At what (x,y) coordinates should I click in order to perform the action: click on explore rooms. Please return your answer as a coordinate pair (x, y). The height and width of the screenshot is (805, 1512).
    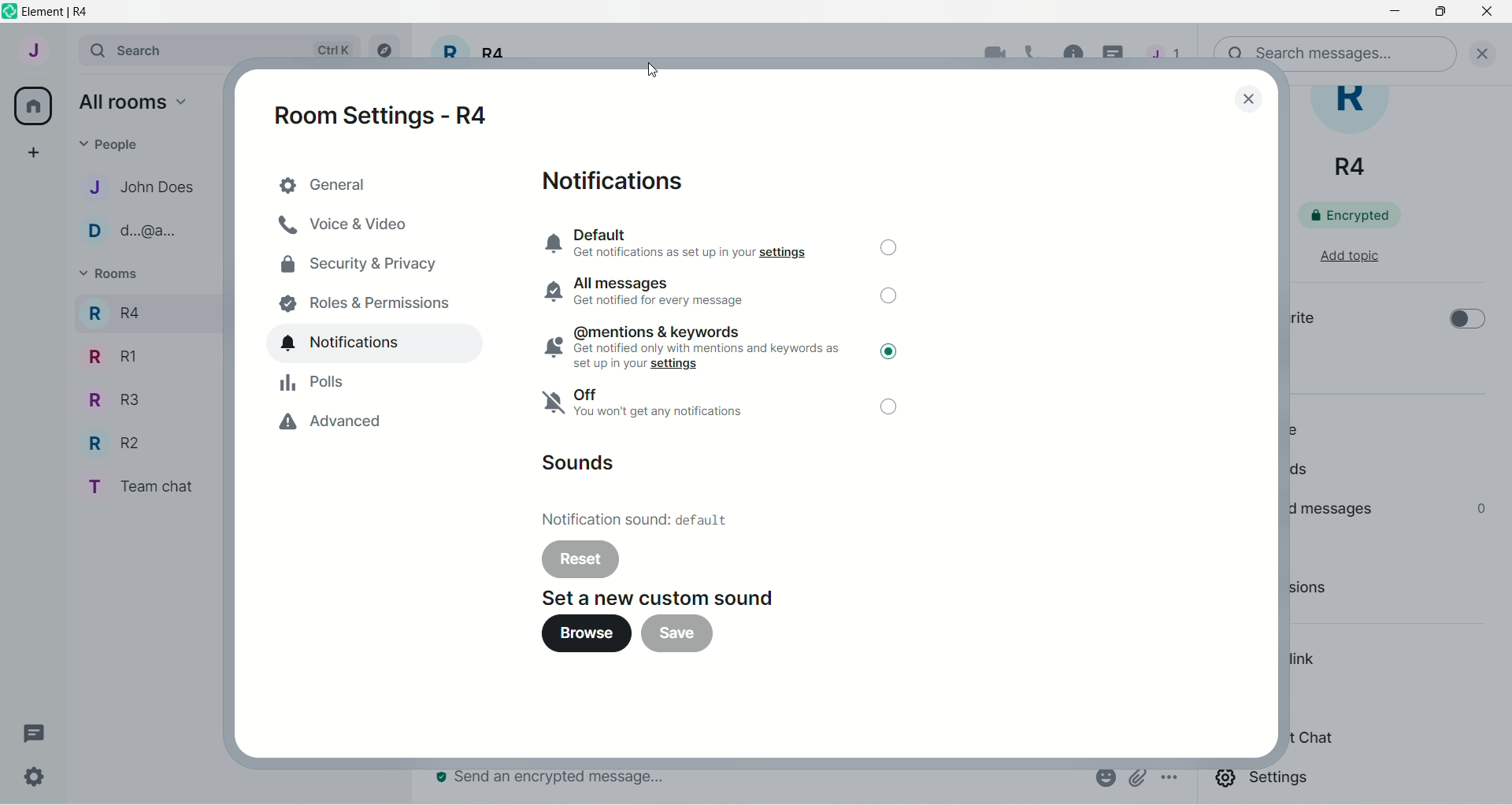
    Looking at the image, I should click on (386, 50).